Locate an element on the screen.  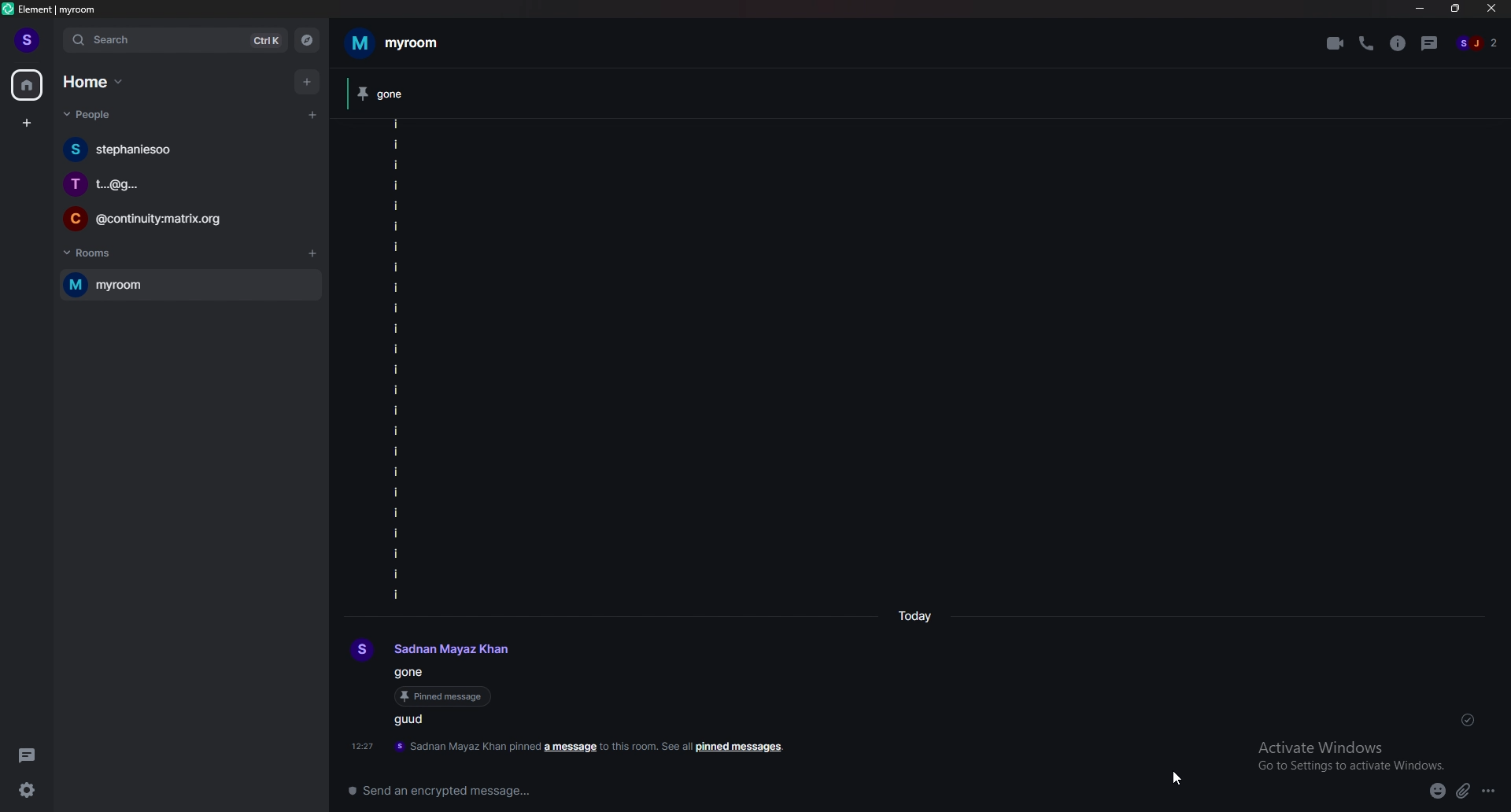
close is located at coordinates (1492, 12).